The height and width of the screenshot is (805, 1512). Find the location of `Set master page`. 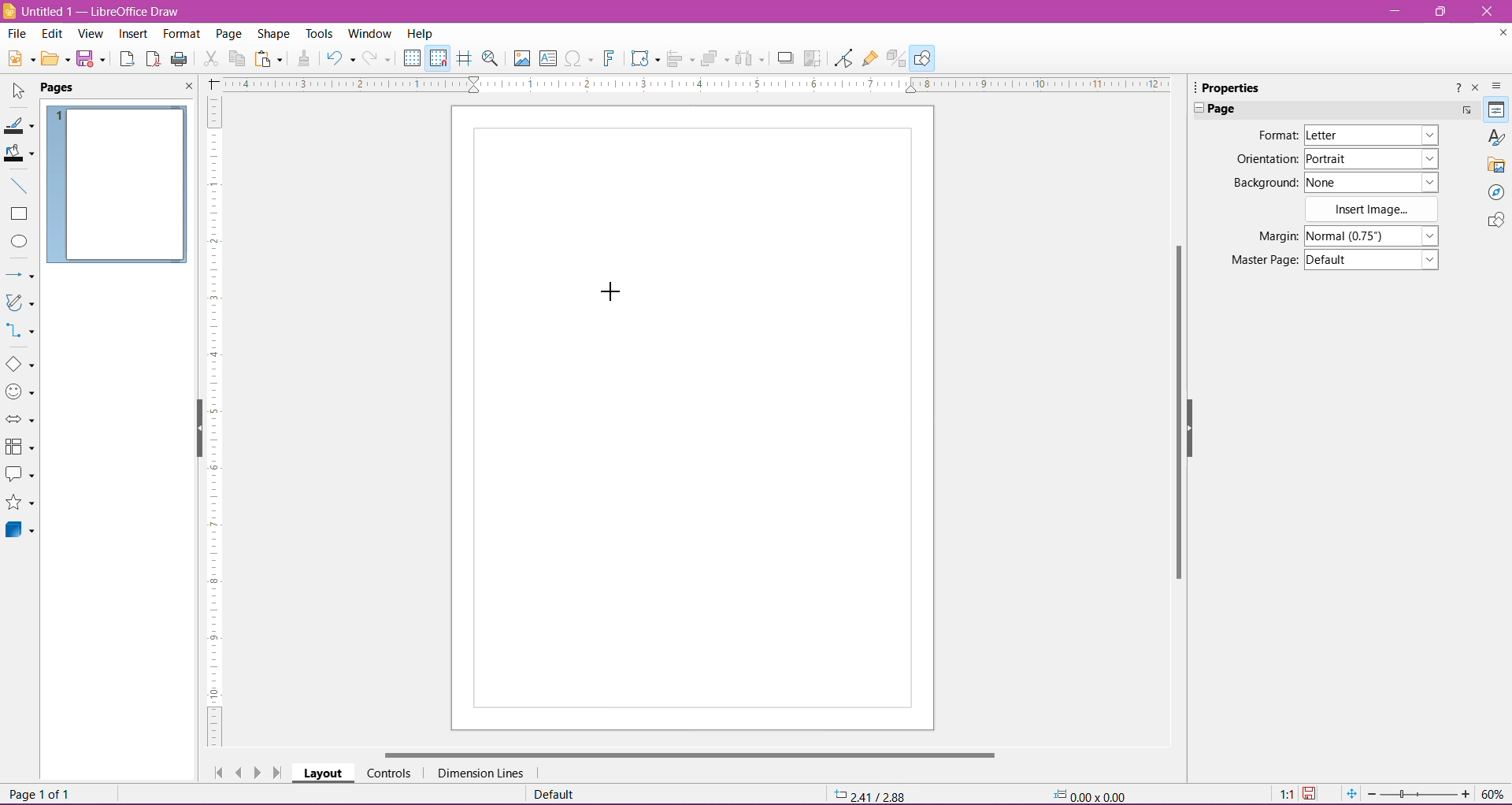

Set master page is located at coordinates (1373, 258).